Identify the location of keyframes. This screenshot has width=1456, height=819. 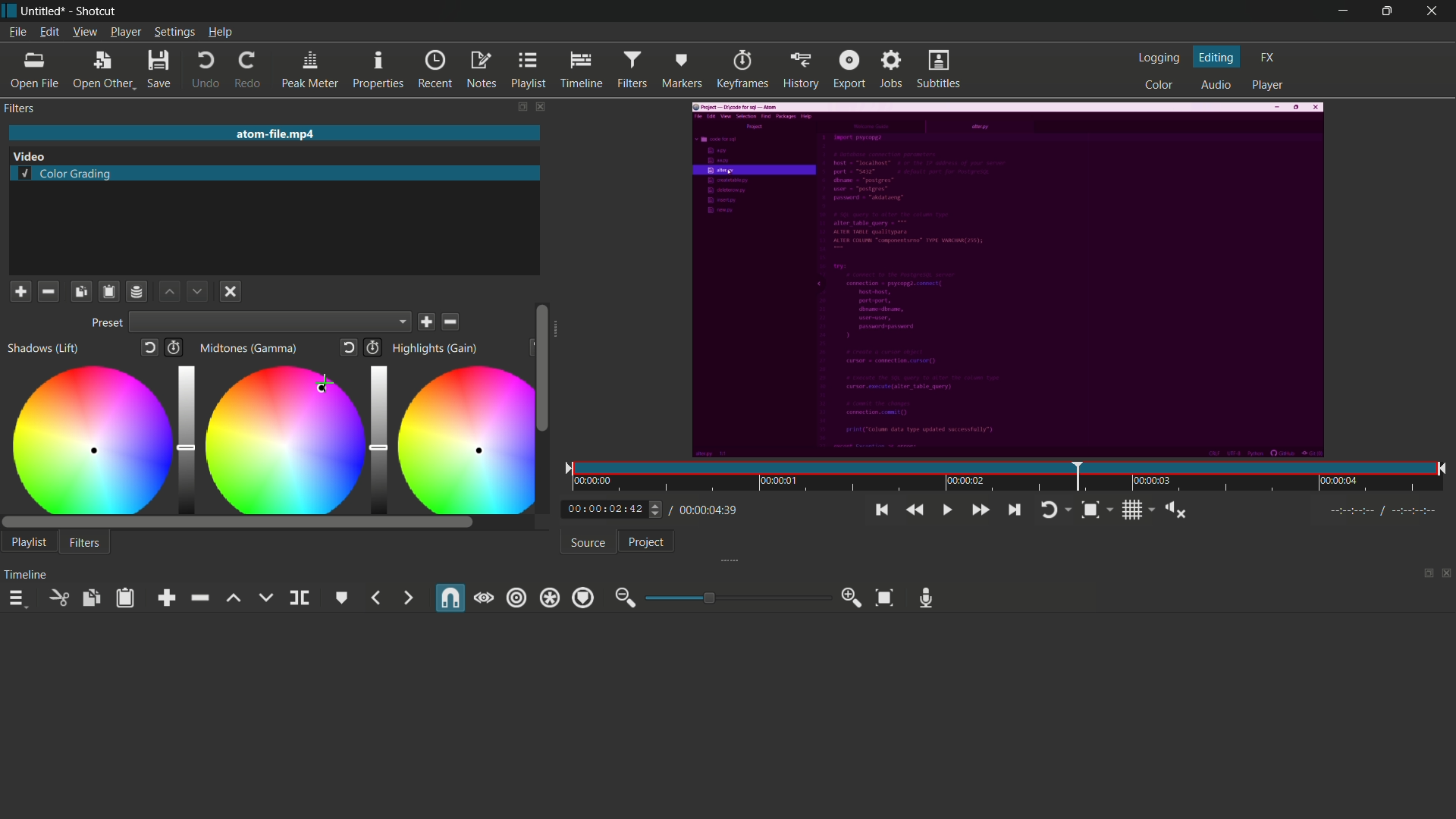
(742, 70).